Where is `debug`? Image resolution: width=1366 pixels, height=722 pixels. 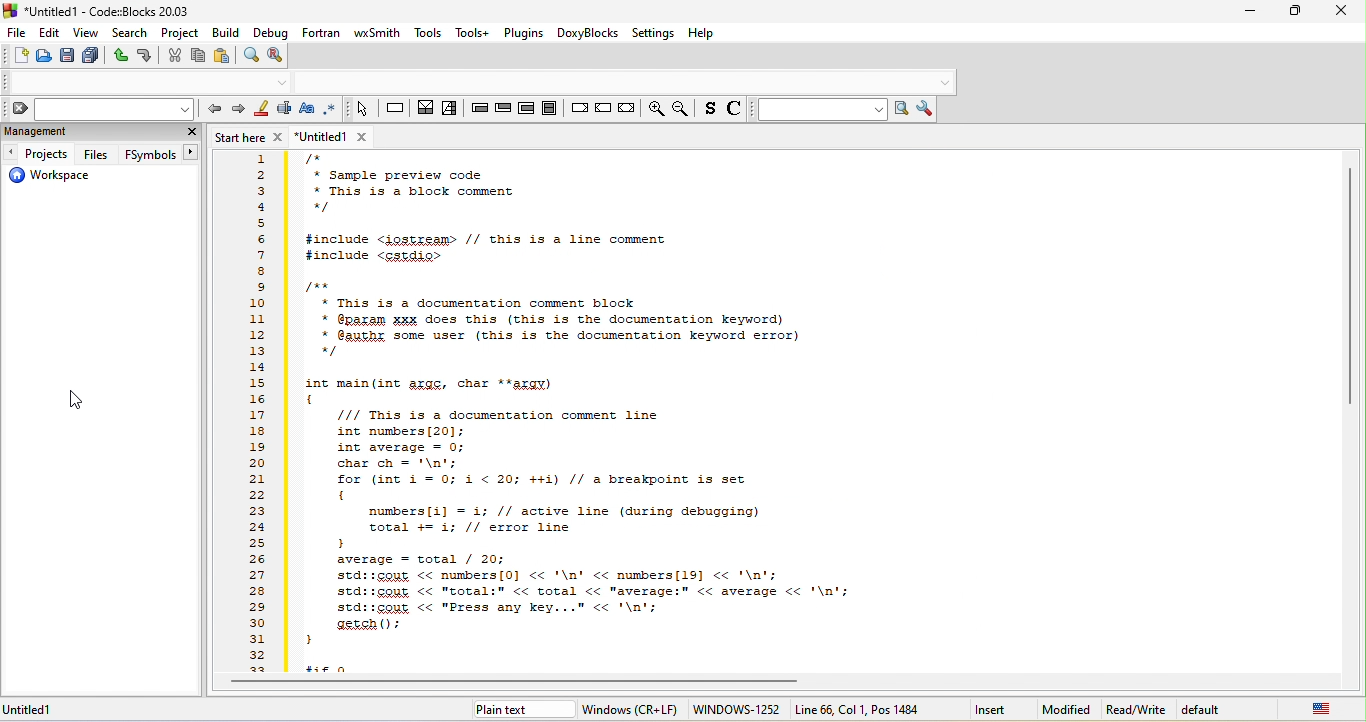
debug is located at coordinates (270, 34).